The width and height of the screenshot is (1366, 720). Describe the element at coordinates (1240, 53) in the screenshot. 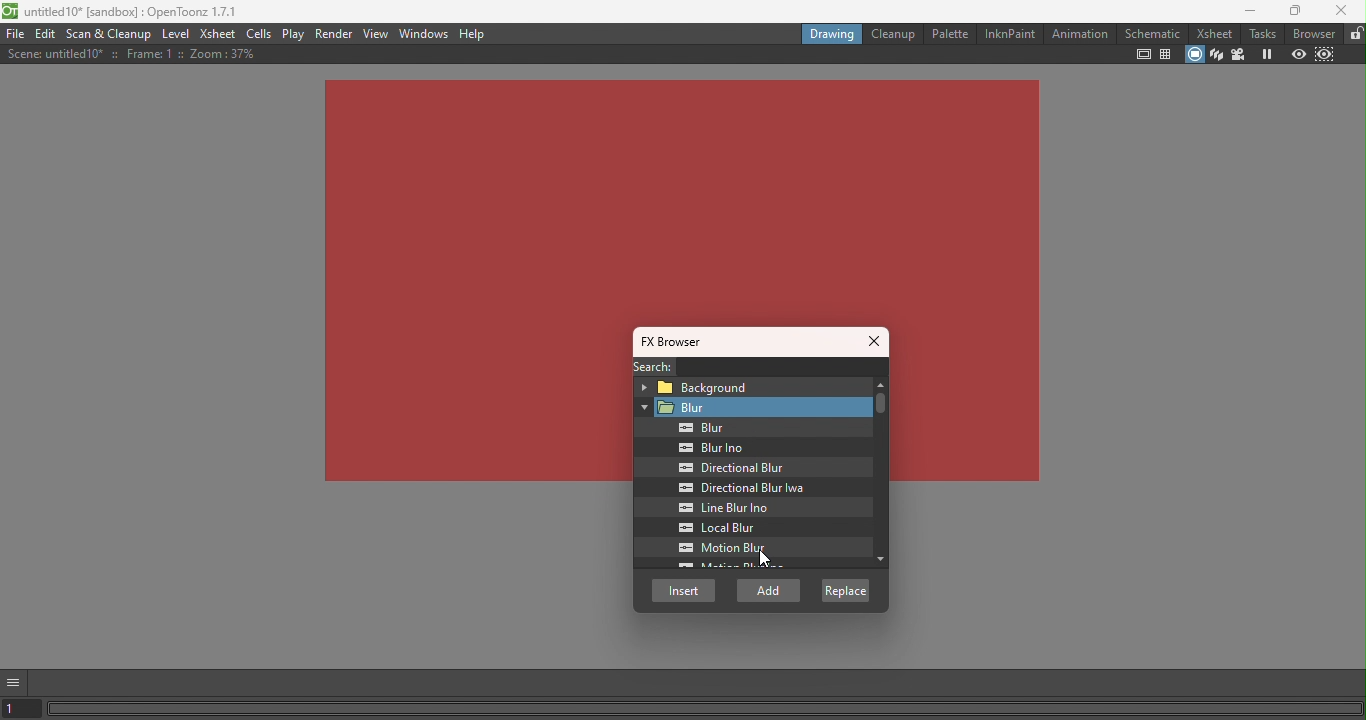

I see `Camera view` at that location.